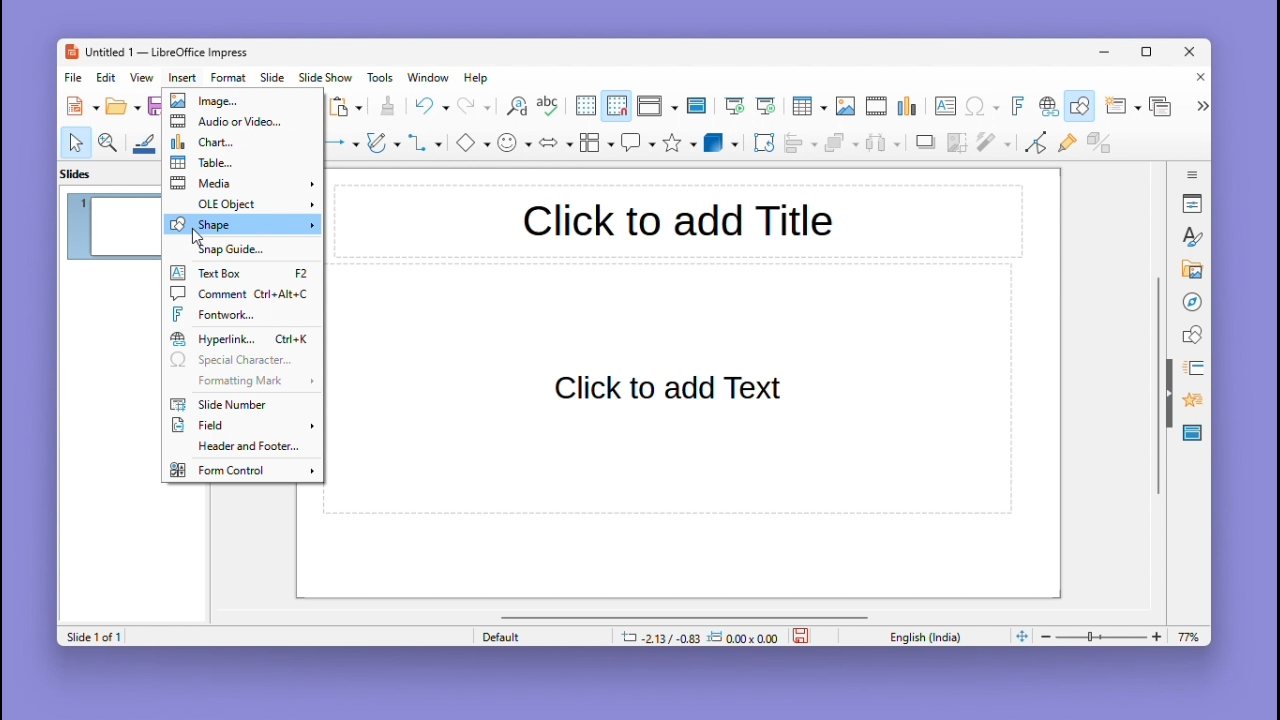 The height and width of the screenshot is (720, 1280). Describe the element at coordinates (516, 142) in the screenshot. I see `Symbol` at that location.